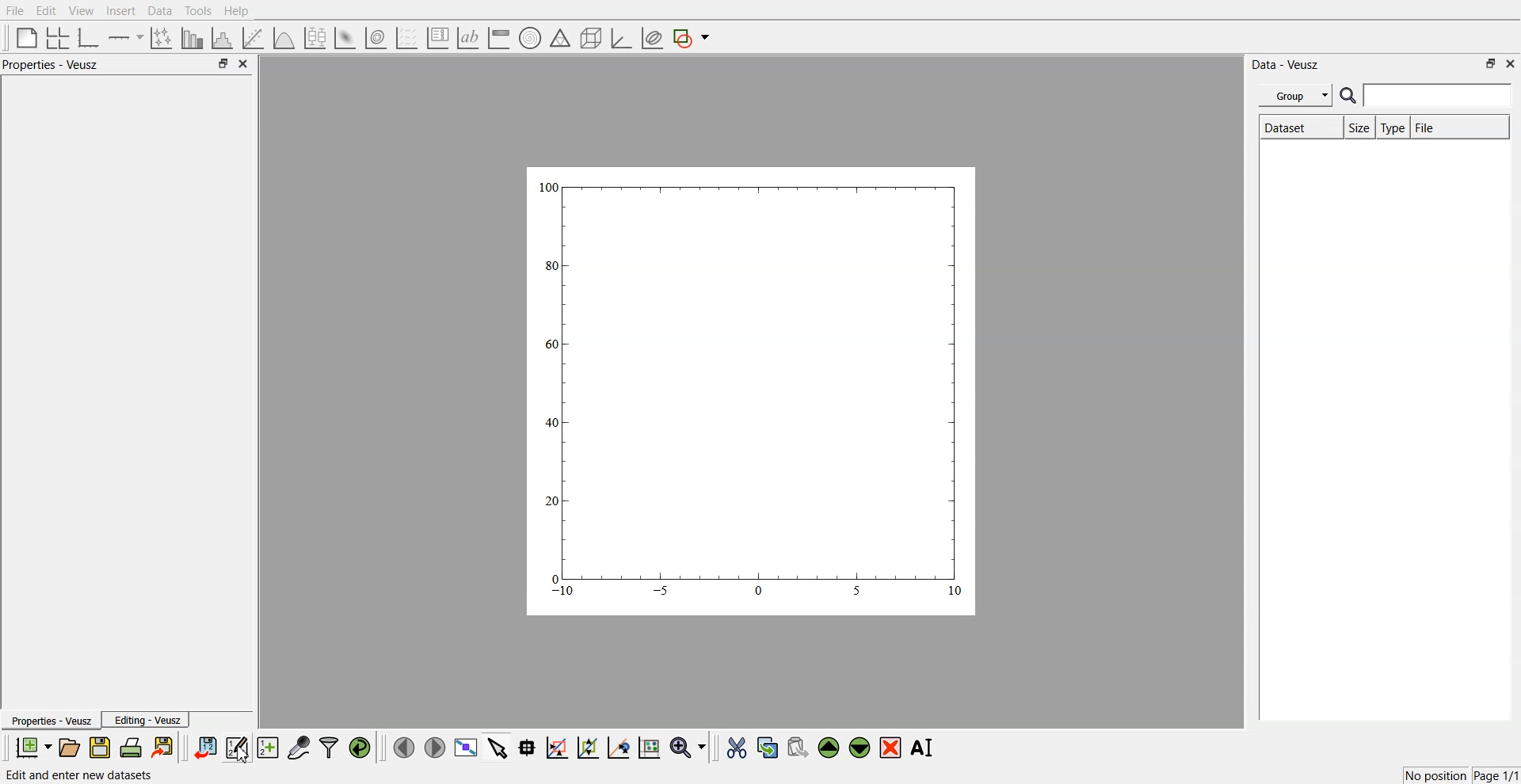  I want to click on Edit and enter new datasets, so click(90, 775).